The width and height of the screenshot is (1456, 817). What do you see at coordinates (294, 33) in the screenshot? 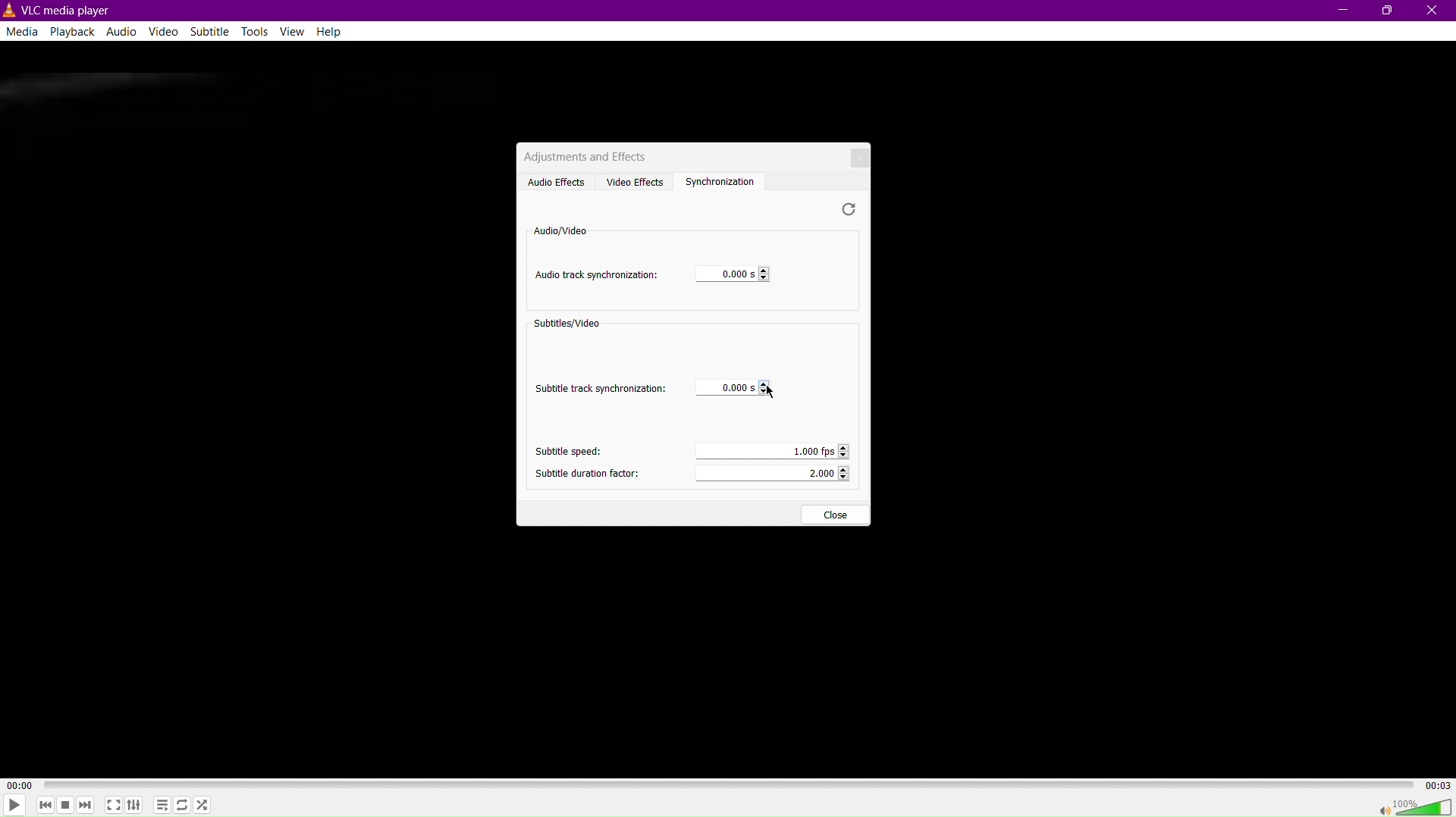
I see `View` at bounding box center [294, 33].